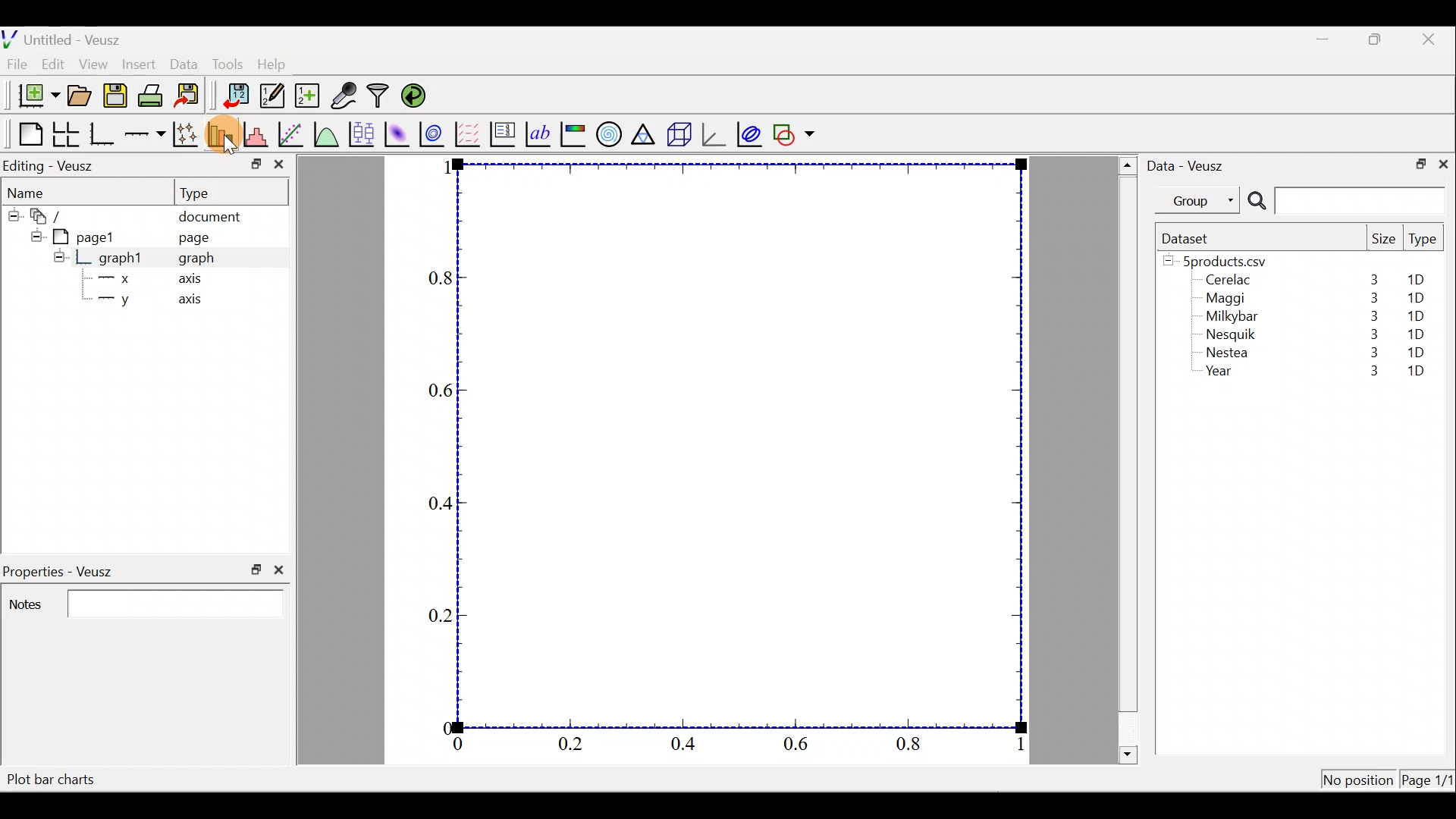  I want to click on 0.4, so click(689, 745).